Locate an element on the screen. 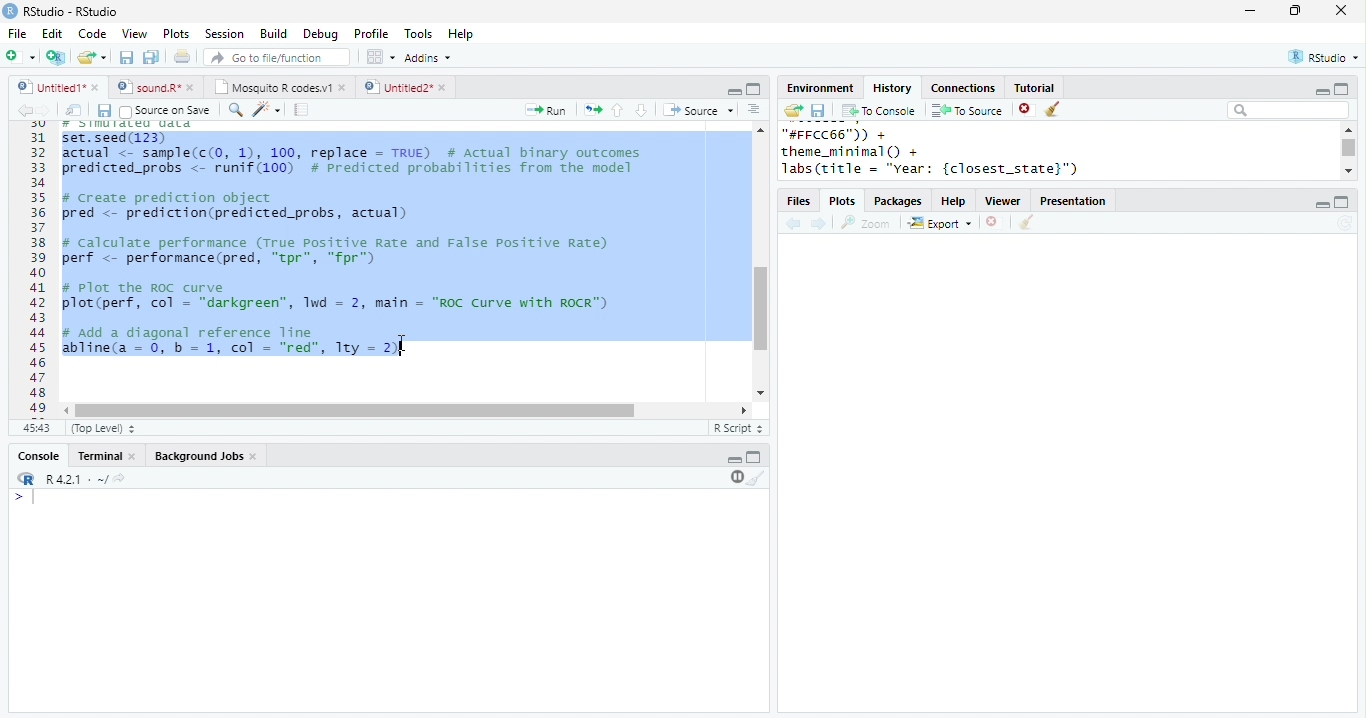 Image resolution: width=1366 pixels, height=718 pixels. scroll up is located at coordinates (1347, 129).